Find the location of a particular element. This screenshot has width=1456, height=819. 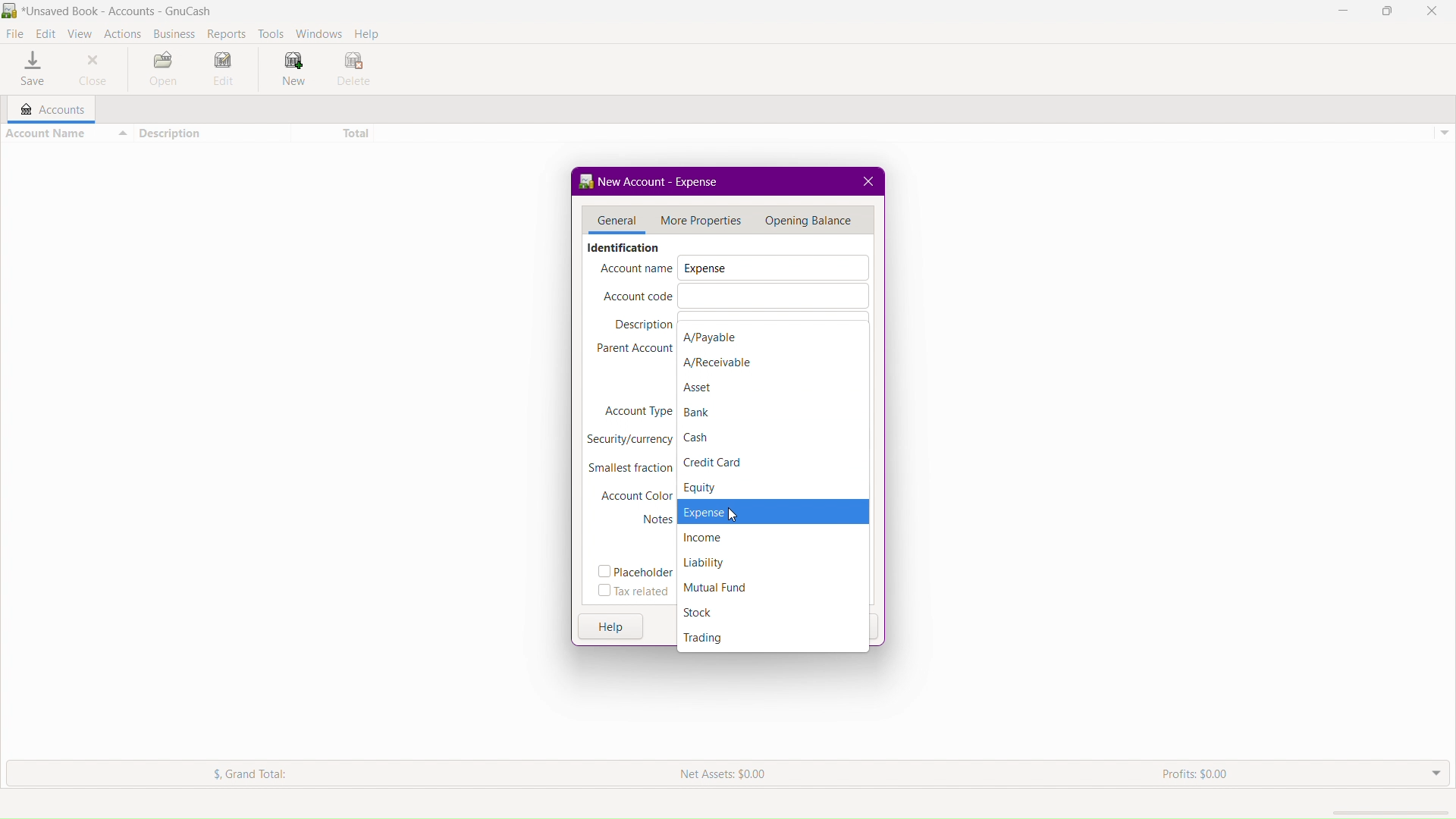

Asset is located at coordinates (707, 388).